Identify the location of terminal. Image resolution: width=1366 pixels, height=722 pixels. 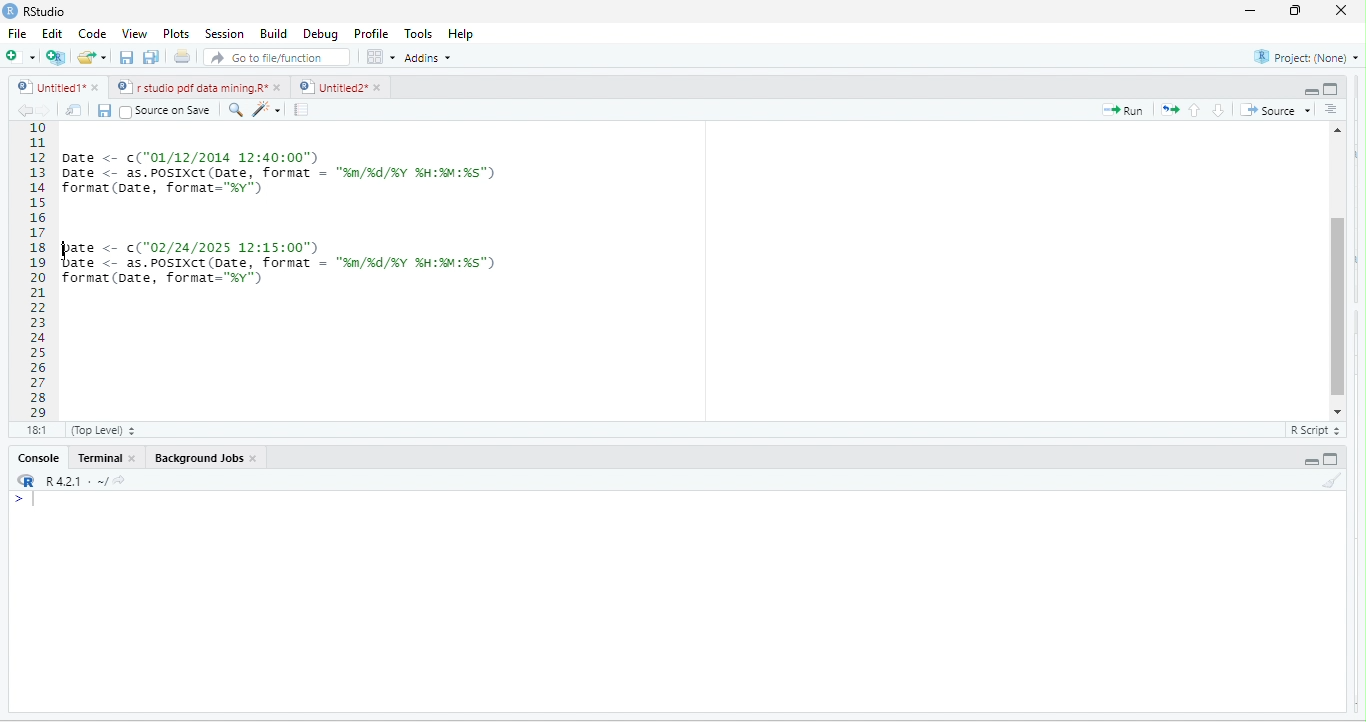
(101, 460).